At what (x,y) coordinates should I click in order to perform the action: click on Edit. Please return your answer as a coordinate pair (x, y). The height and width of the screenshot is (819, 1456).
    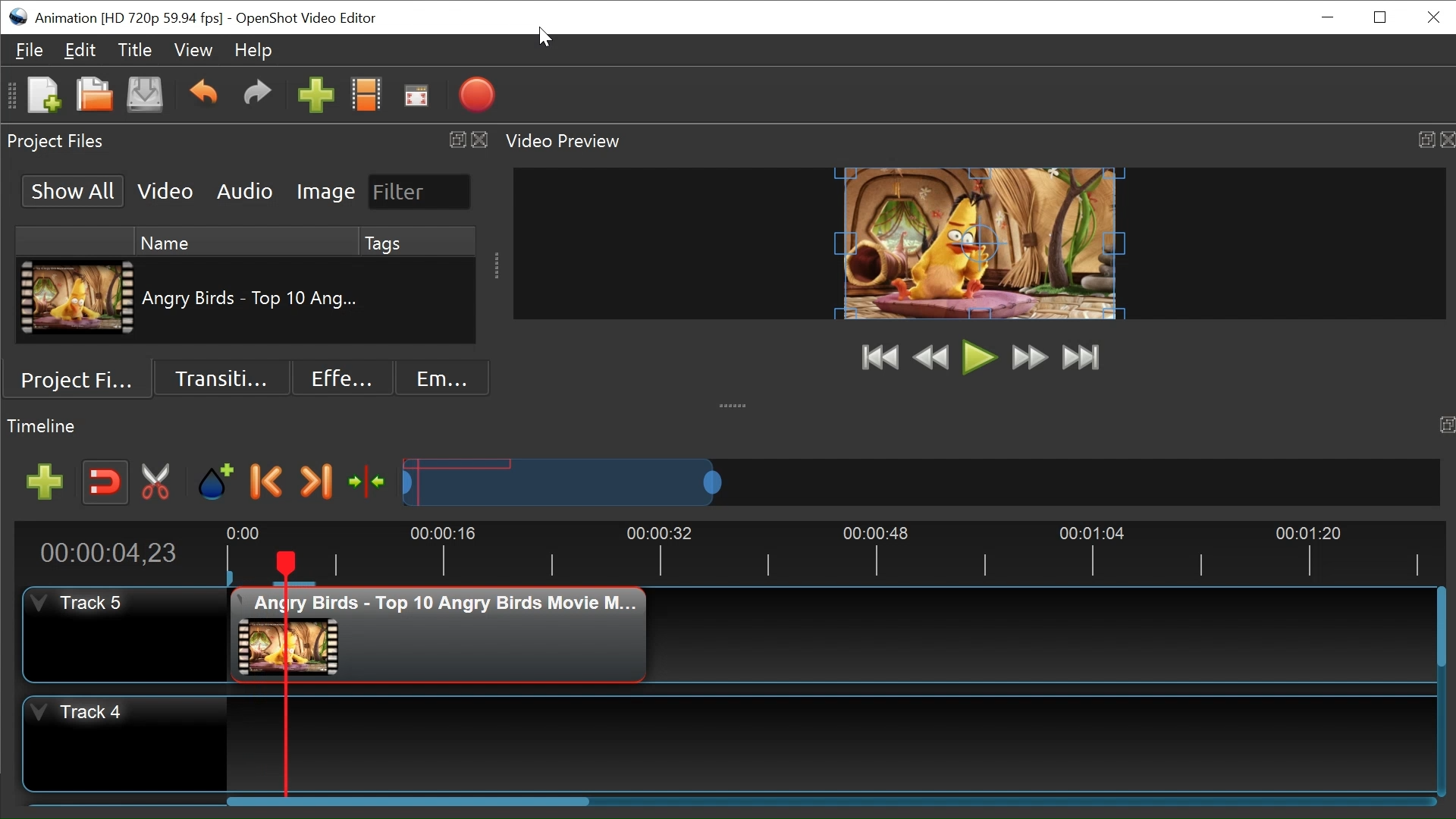
    Looking at the image, I should click on (80, 49).